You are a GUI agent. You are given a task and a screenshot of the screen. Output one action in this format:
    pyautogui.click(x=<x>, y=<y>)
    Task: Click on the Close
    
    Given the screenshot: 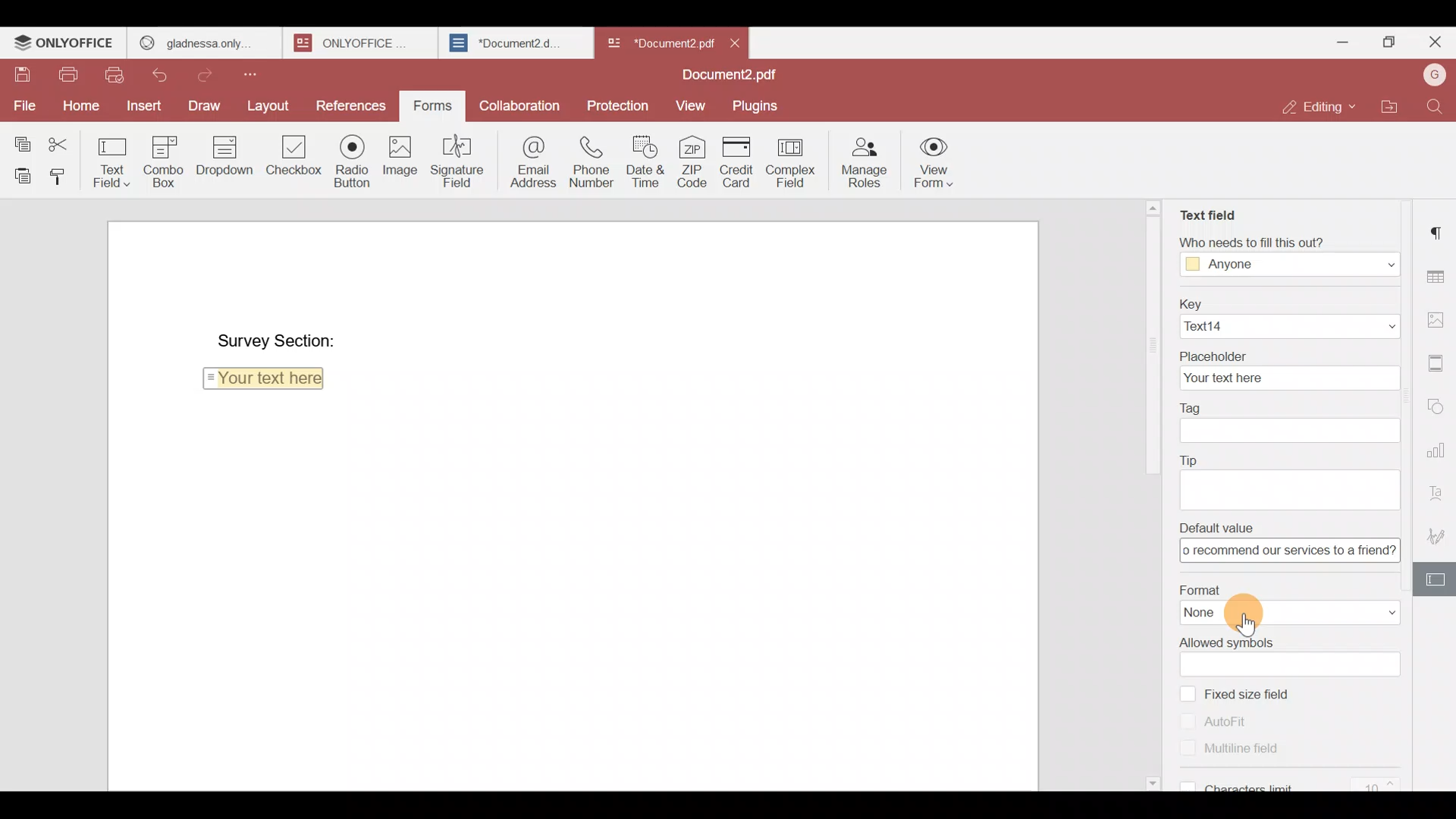 What is the action you would take?
    pyautogui.click(x=1434, y=45)
    